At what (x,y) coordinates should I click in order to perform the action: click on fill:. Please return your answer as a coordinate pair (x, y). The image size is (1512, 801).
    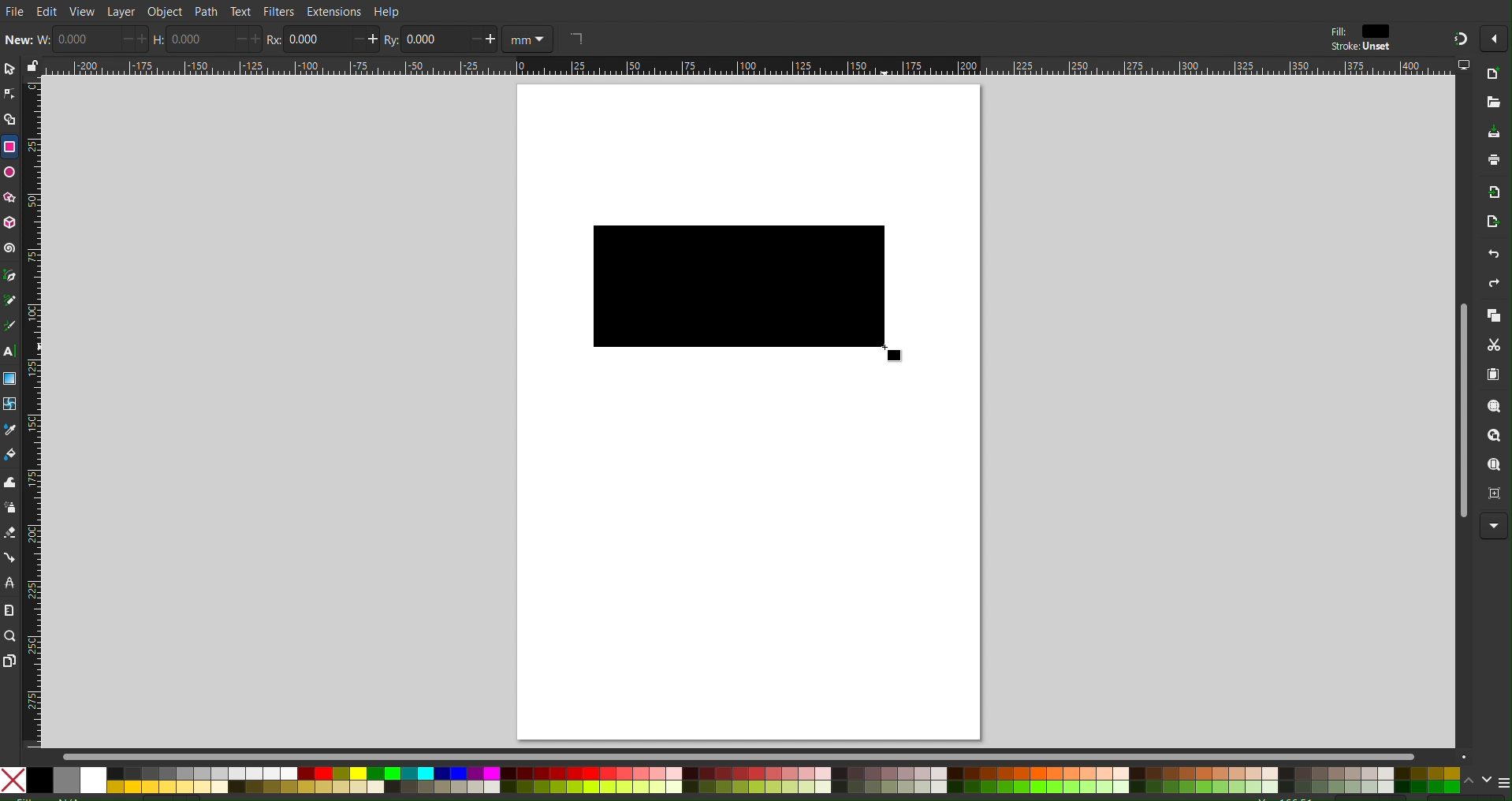
    Looking at the image, I should click on (1337, 30).